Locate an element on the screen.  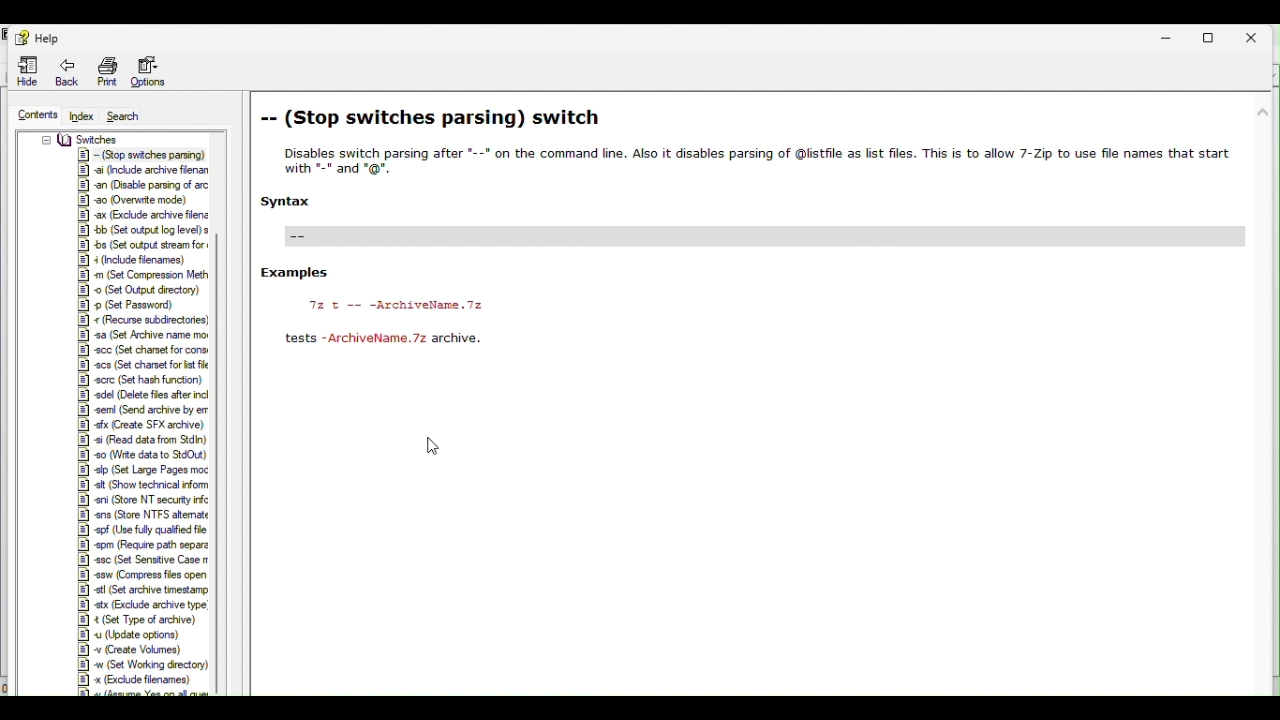
 is located at coordinates (146, 603).